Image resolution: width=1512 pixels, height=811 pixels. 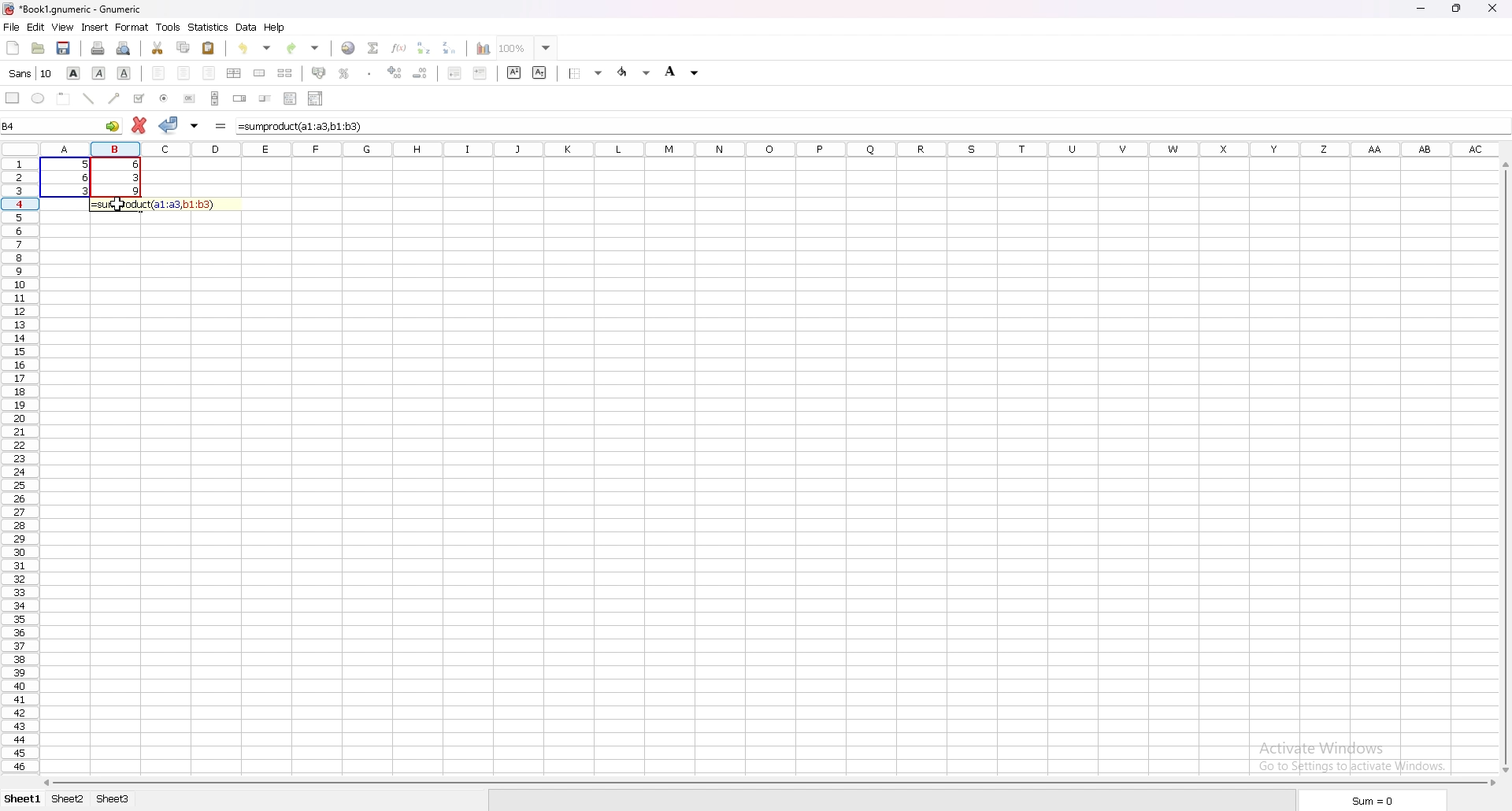 I want to click on sheet, so click(x=24, y=798).